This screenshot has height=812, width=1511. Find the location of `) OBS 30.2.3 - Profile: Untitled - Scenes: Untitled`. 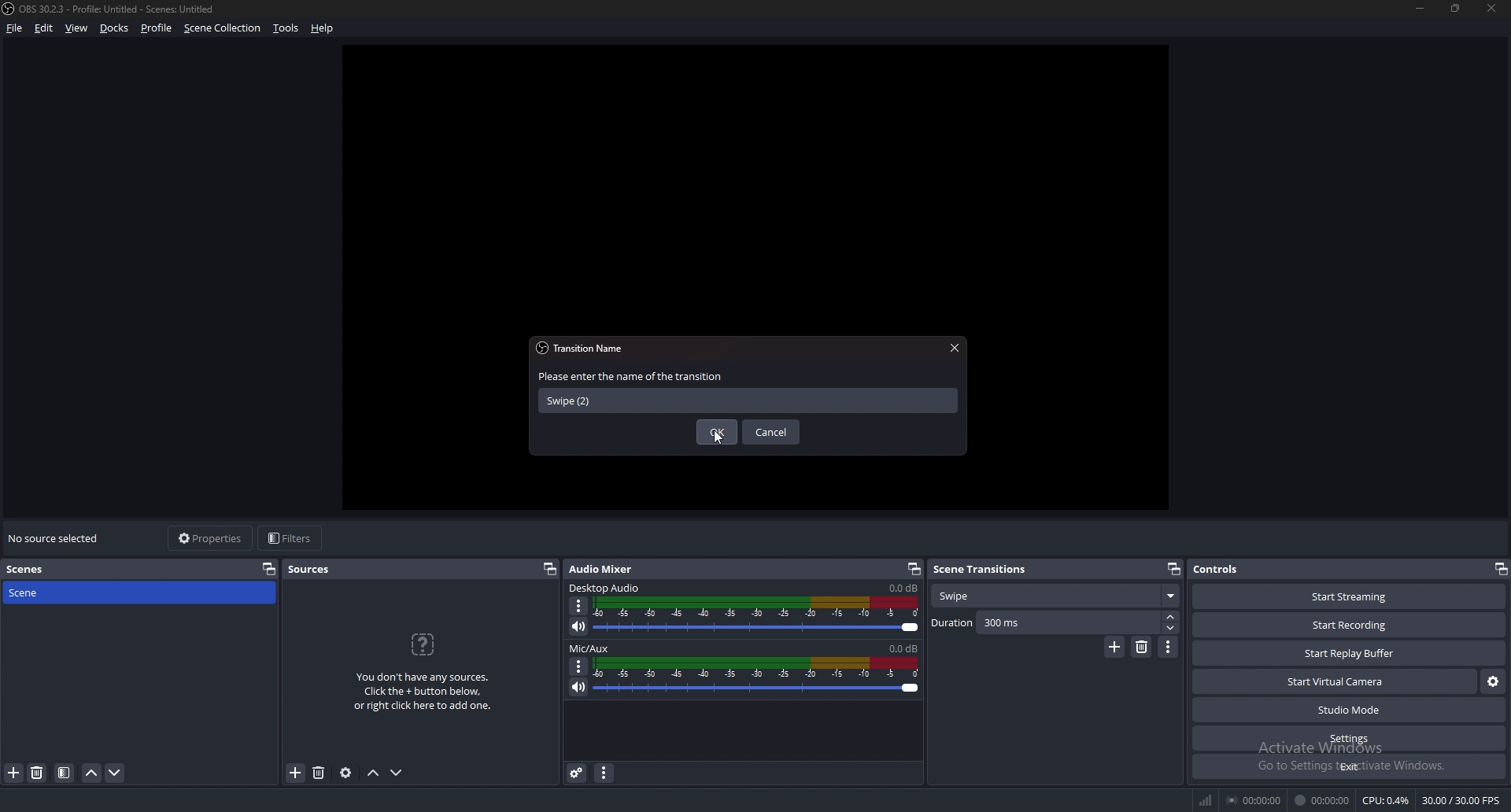

) OBS 30.2.3 - Profile: Untitled - Scenes: Untitled is located at coordinates (126, 9).